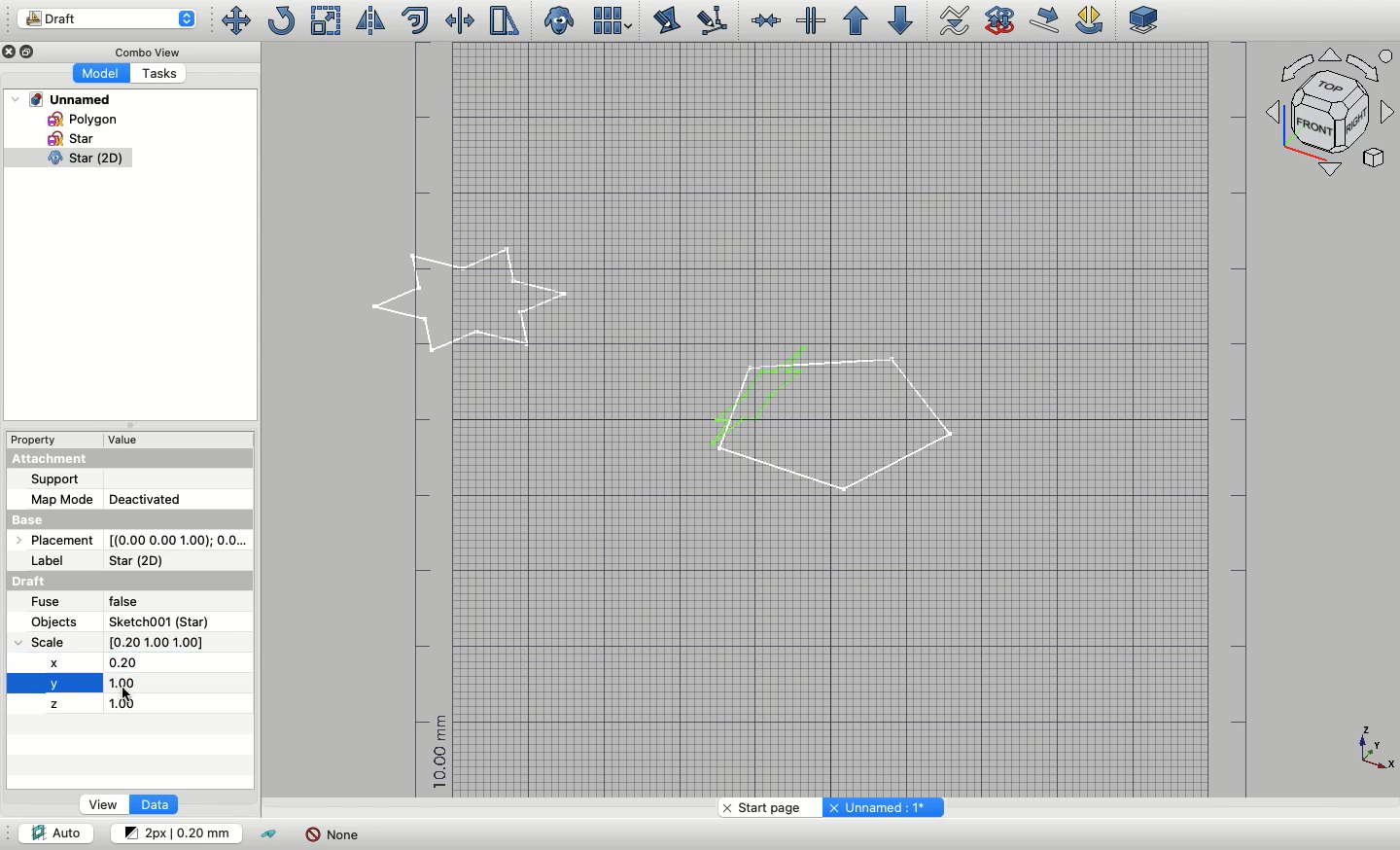 The image size is (1400, 850). I want to click on X, so click(54, 661).